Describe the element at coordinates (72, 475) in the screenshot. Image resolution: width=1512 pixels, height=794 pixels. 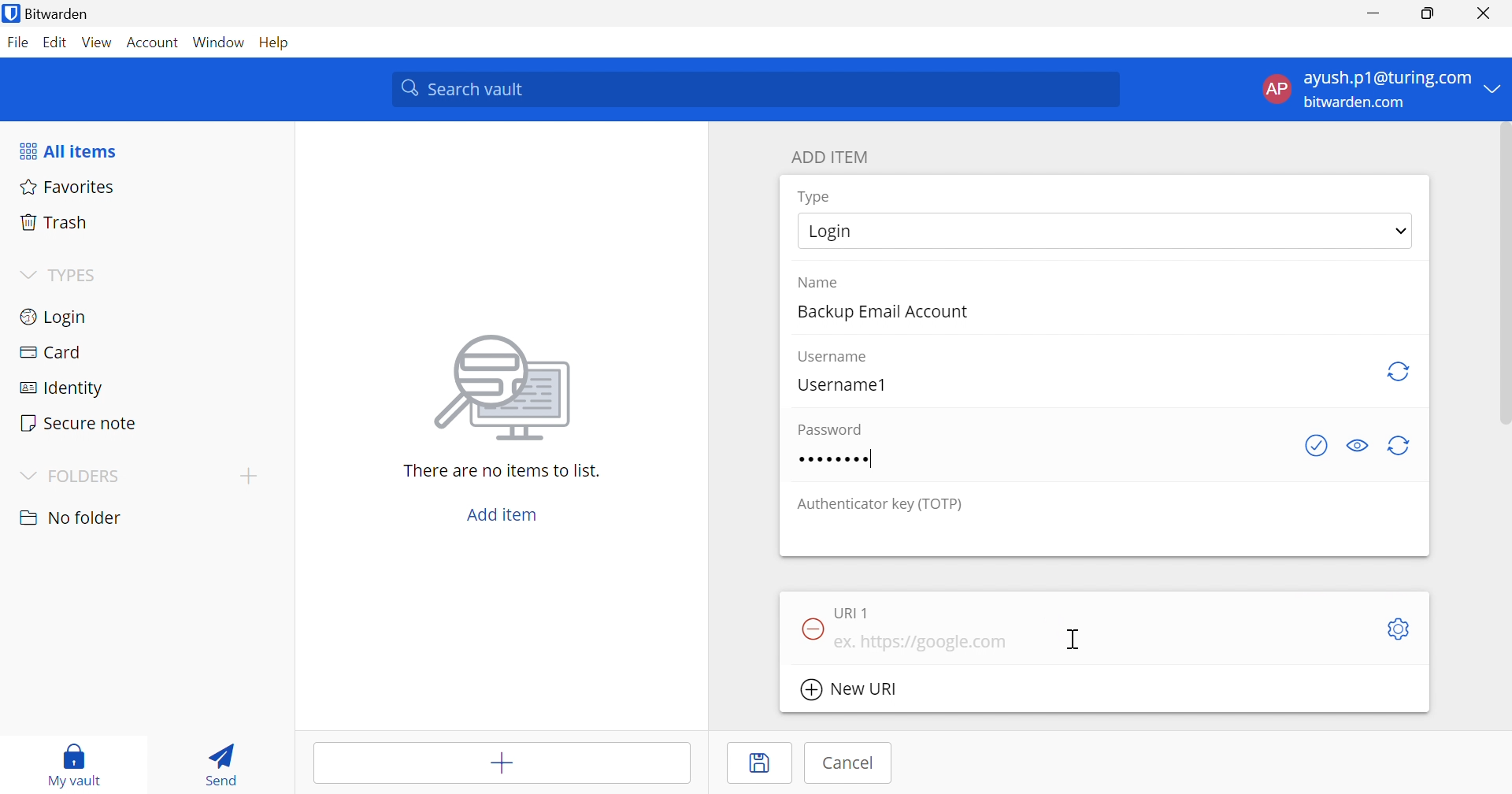
I see `FOLDERS` at that location.